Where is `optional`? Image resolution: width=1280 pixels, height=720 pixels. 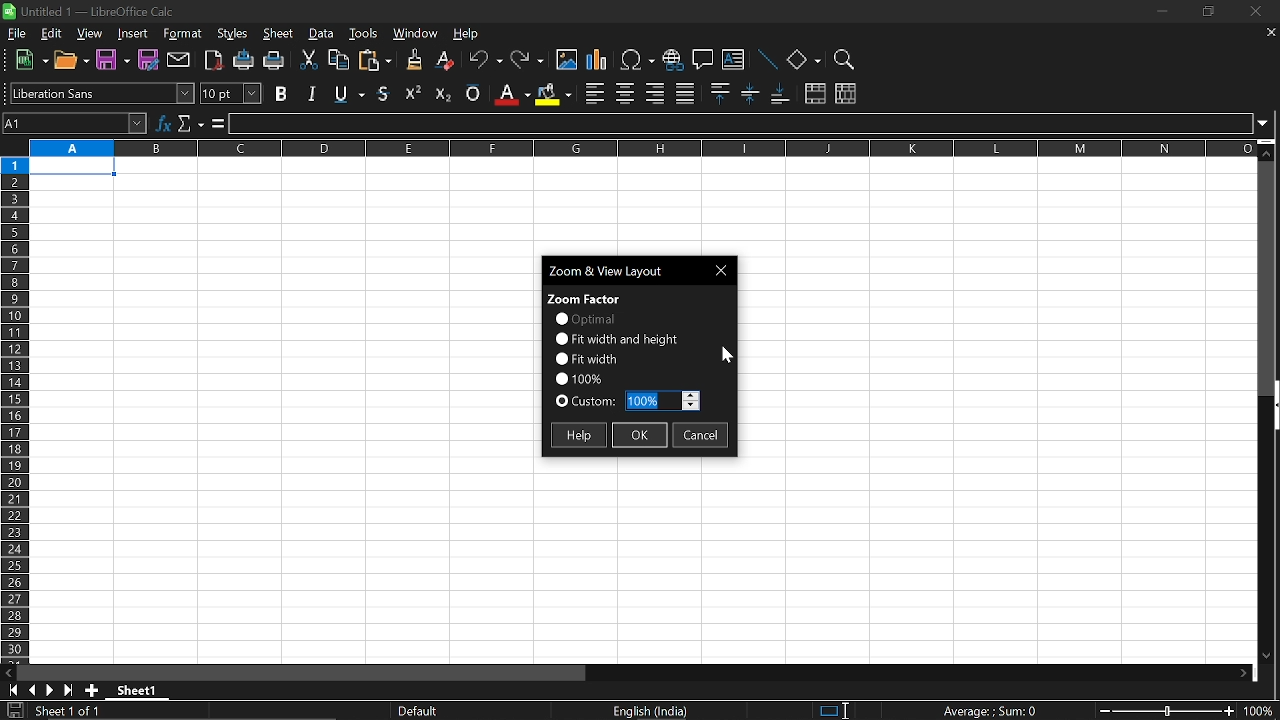
optional is located at coordinates (584, 319).